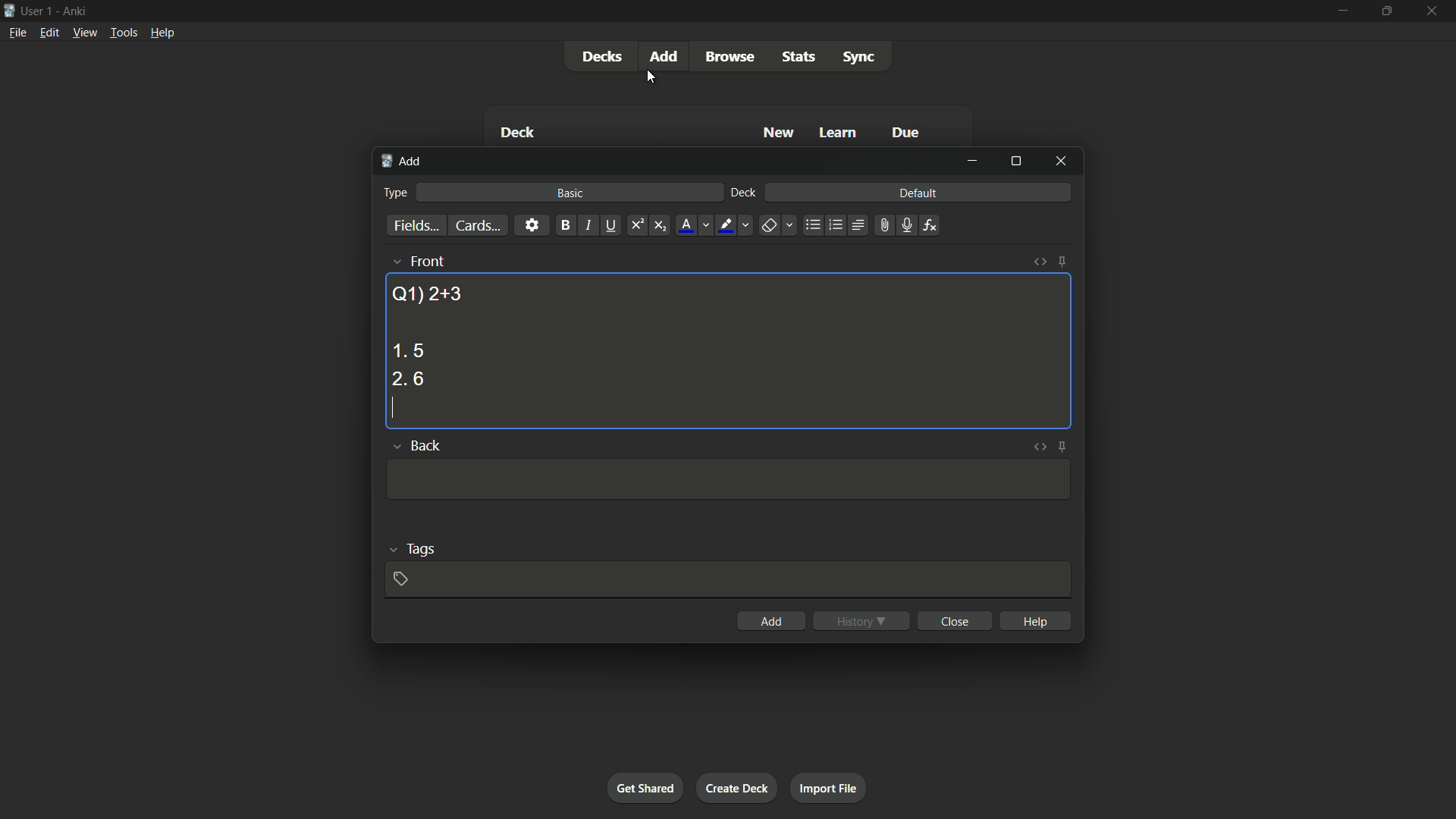 Image resolution: width=1456 pixels, height=819 pixels. Describe the element at coordinates (571, 193) in the screenshot. I see `basic` at that location.